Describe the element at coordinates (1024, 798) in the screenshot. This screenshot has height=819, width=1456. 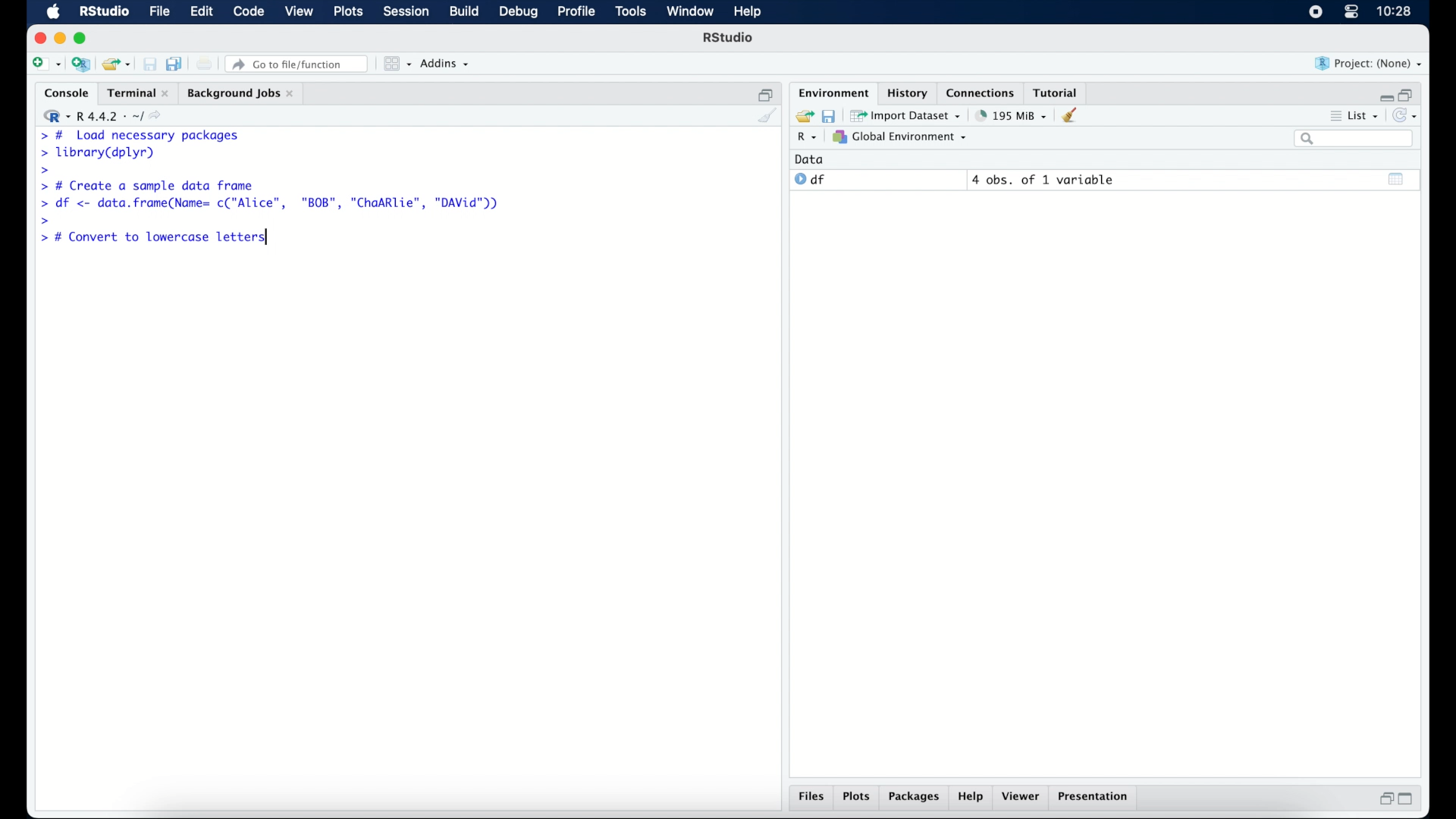
I see `viewer` at that location.